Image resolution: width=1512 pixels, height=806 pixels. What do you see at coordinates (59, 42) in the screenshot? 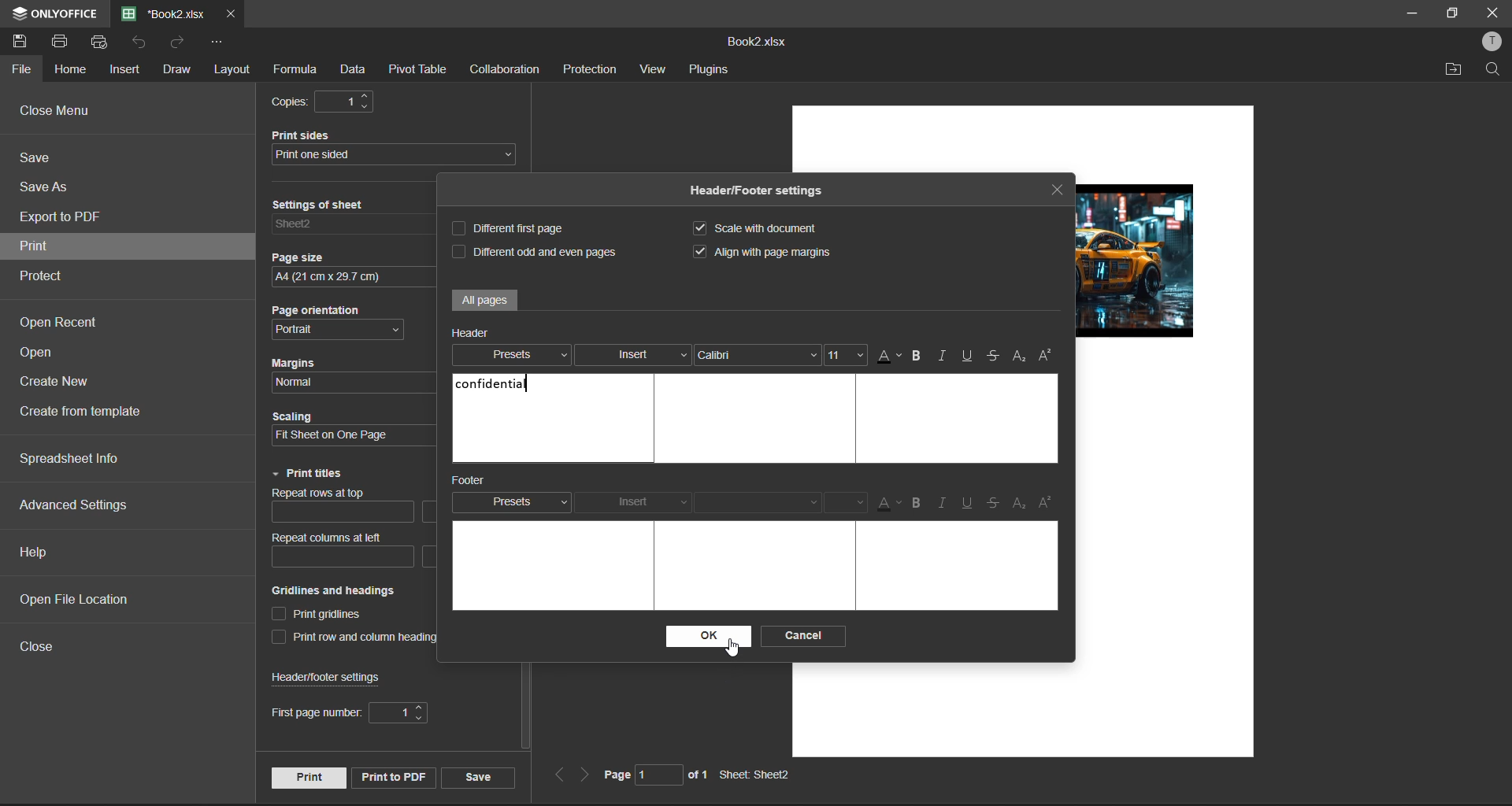
I see `print` at bounding box center [59, 42].